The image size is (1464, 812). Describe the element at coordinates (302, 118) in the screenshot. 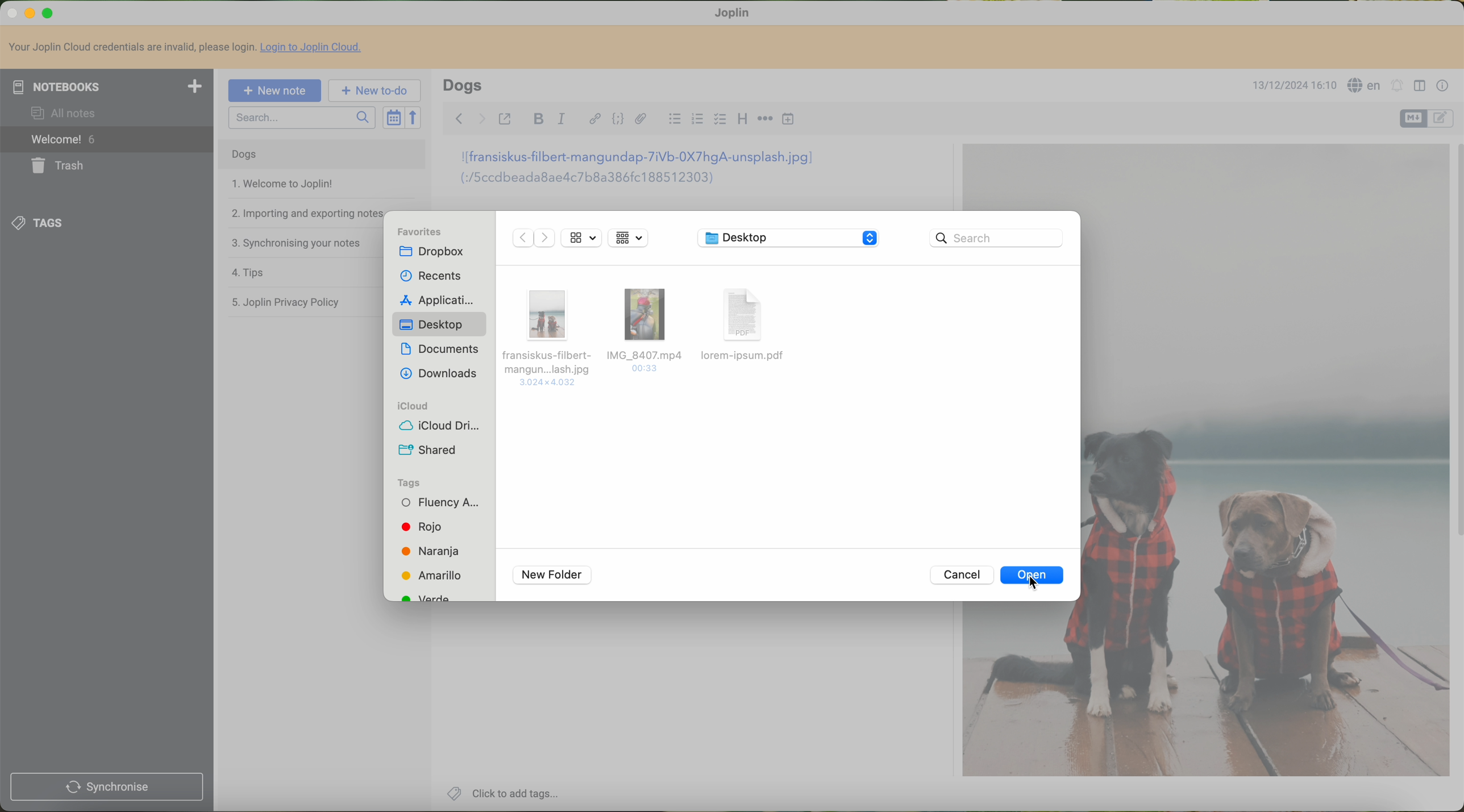

I see `search bar` at that location.